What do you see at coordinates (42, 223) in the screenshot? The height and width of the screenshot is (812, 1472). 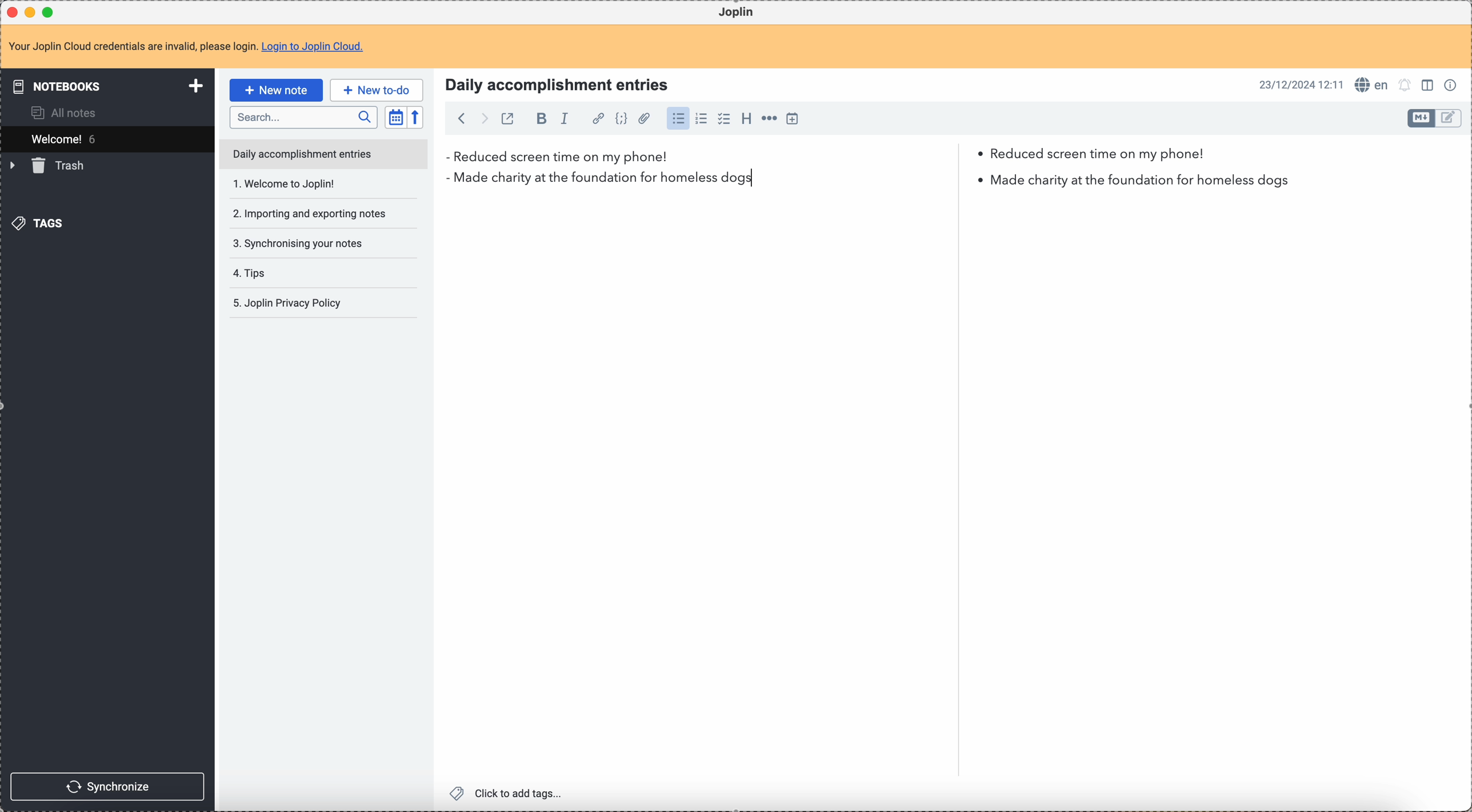 I see `tags` at bounding box center [42, 223].